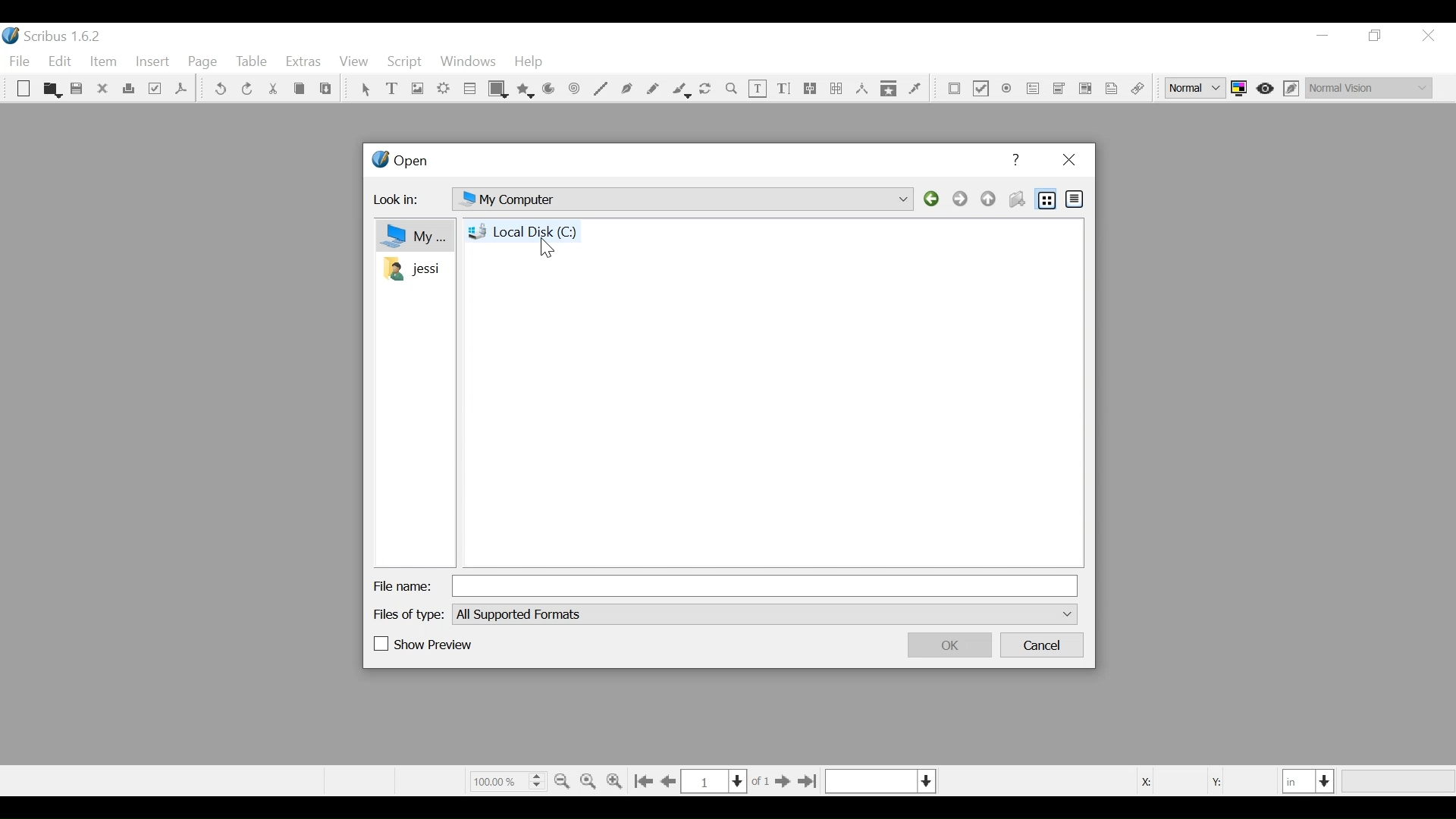  Describe the element at coordinates (836, 89) in the screenshot. I see `Unlink Text frame` at that location.